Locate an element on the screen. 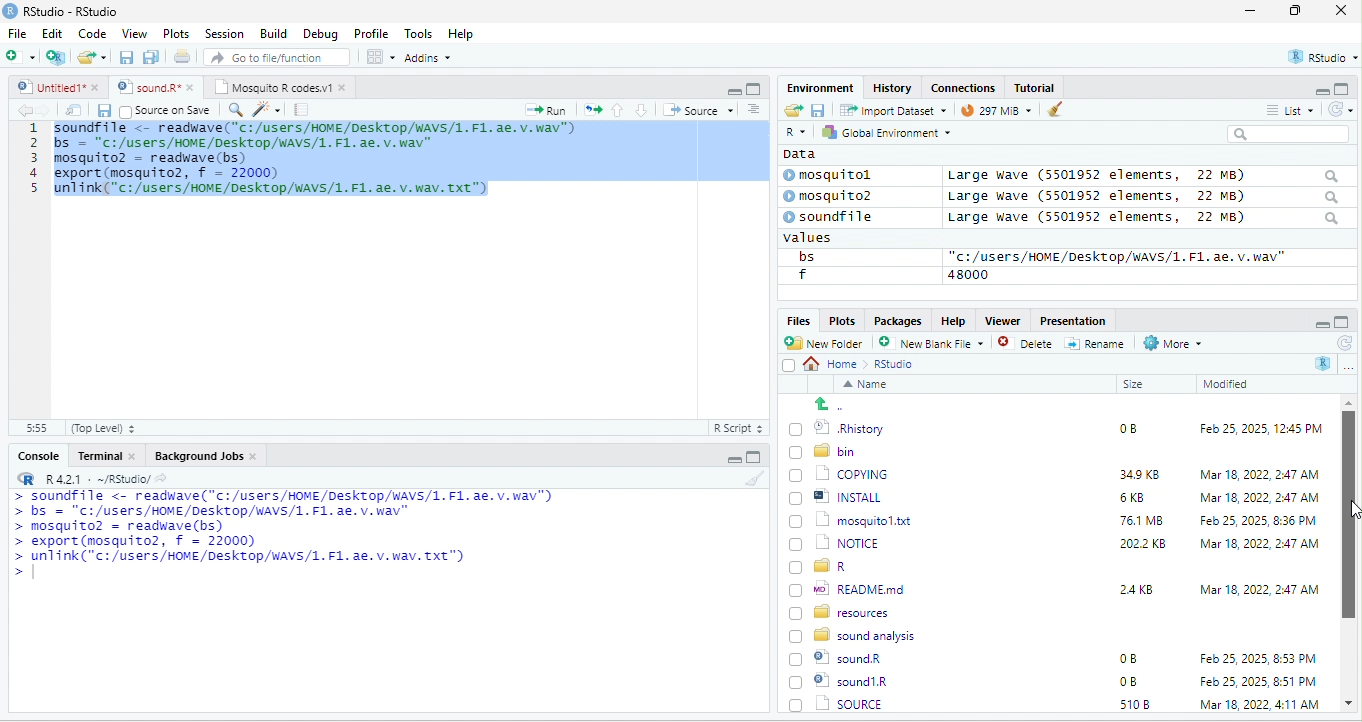 This screenshot has width=1362, height=722. 76.1 MB is located at coordinates (1141, 519).